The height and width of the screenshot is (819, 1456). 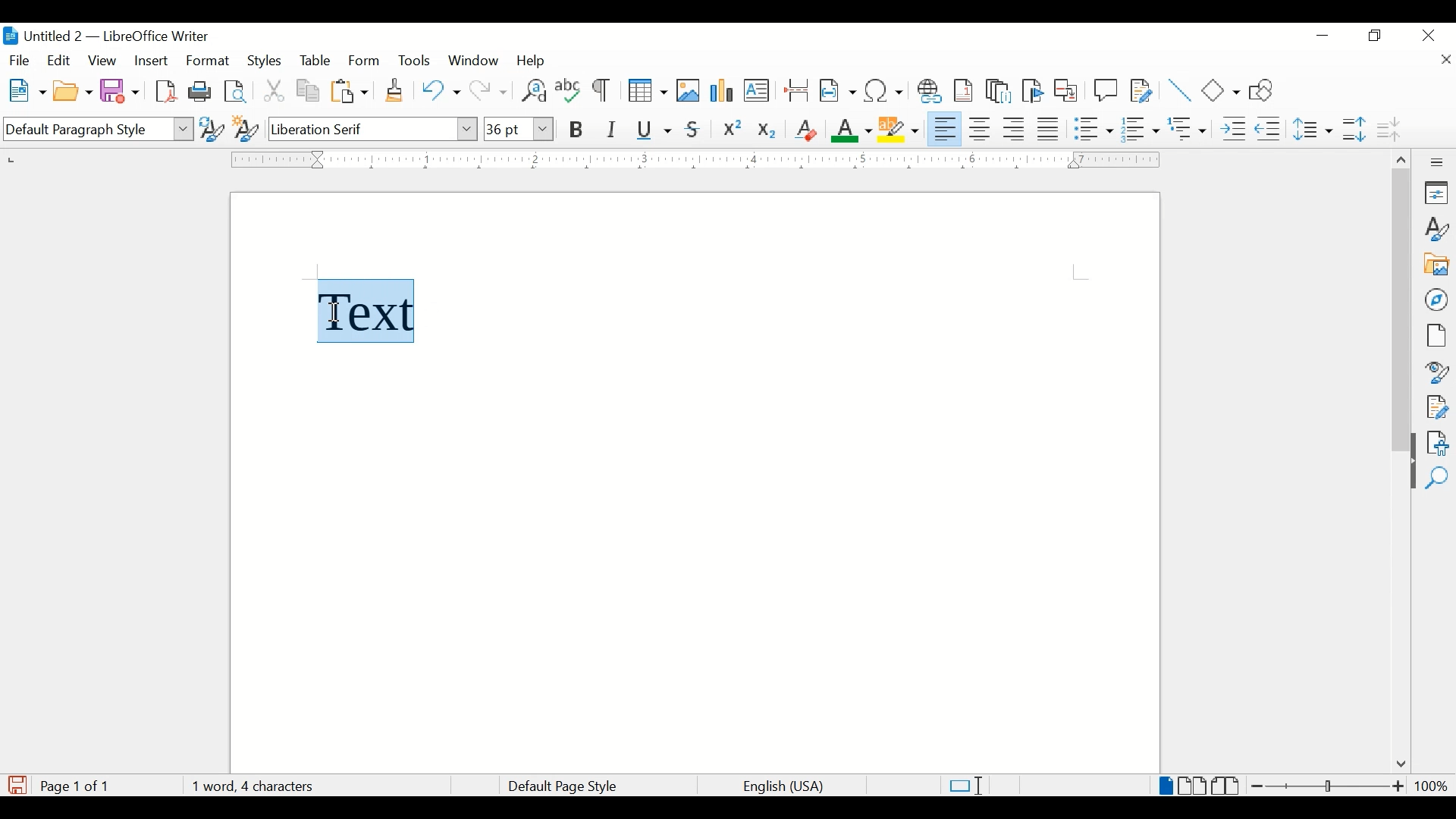 I want to click on styles, so click(x=1438, y=229).